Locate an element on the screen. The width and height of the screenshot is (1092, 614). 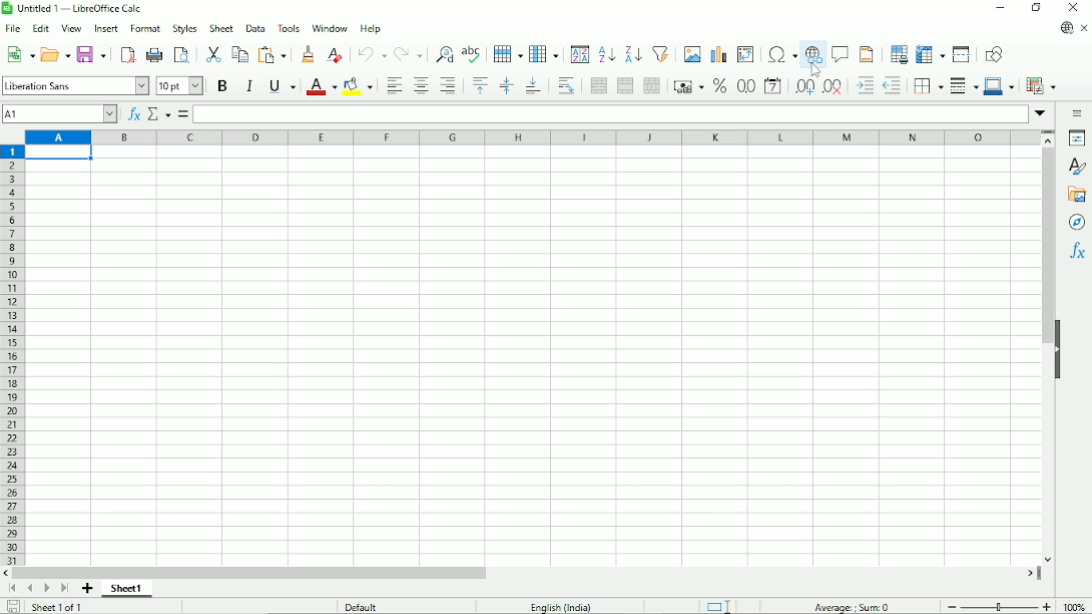
Scroll to previous sheet is located at coordinates (30, 589).